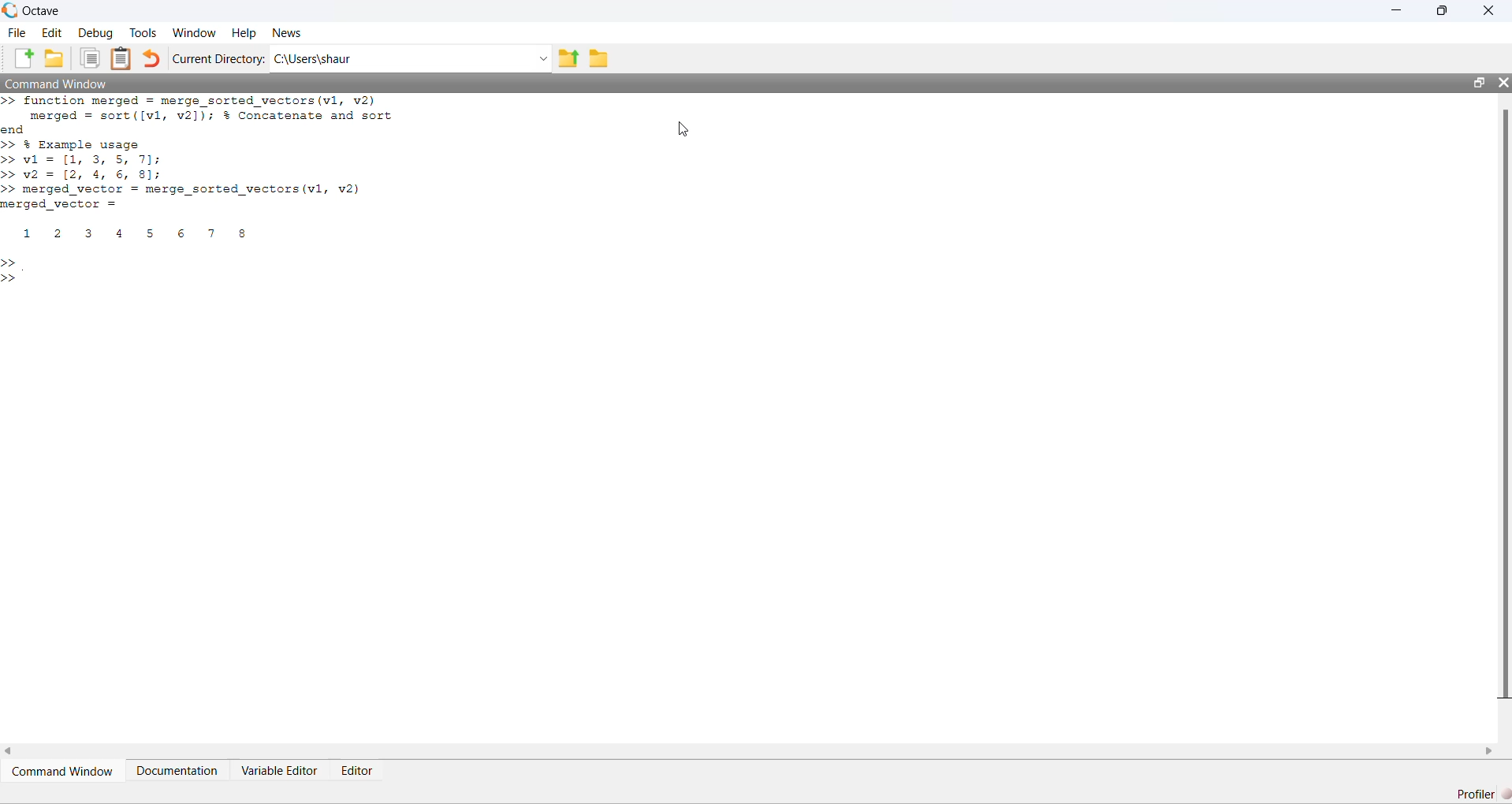  What do you see at coordinates (356, 770) in the screenshot?
I see `Editor` at bounding box center [356, 770].